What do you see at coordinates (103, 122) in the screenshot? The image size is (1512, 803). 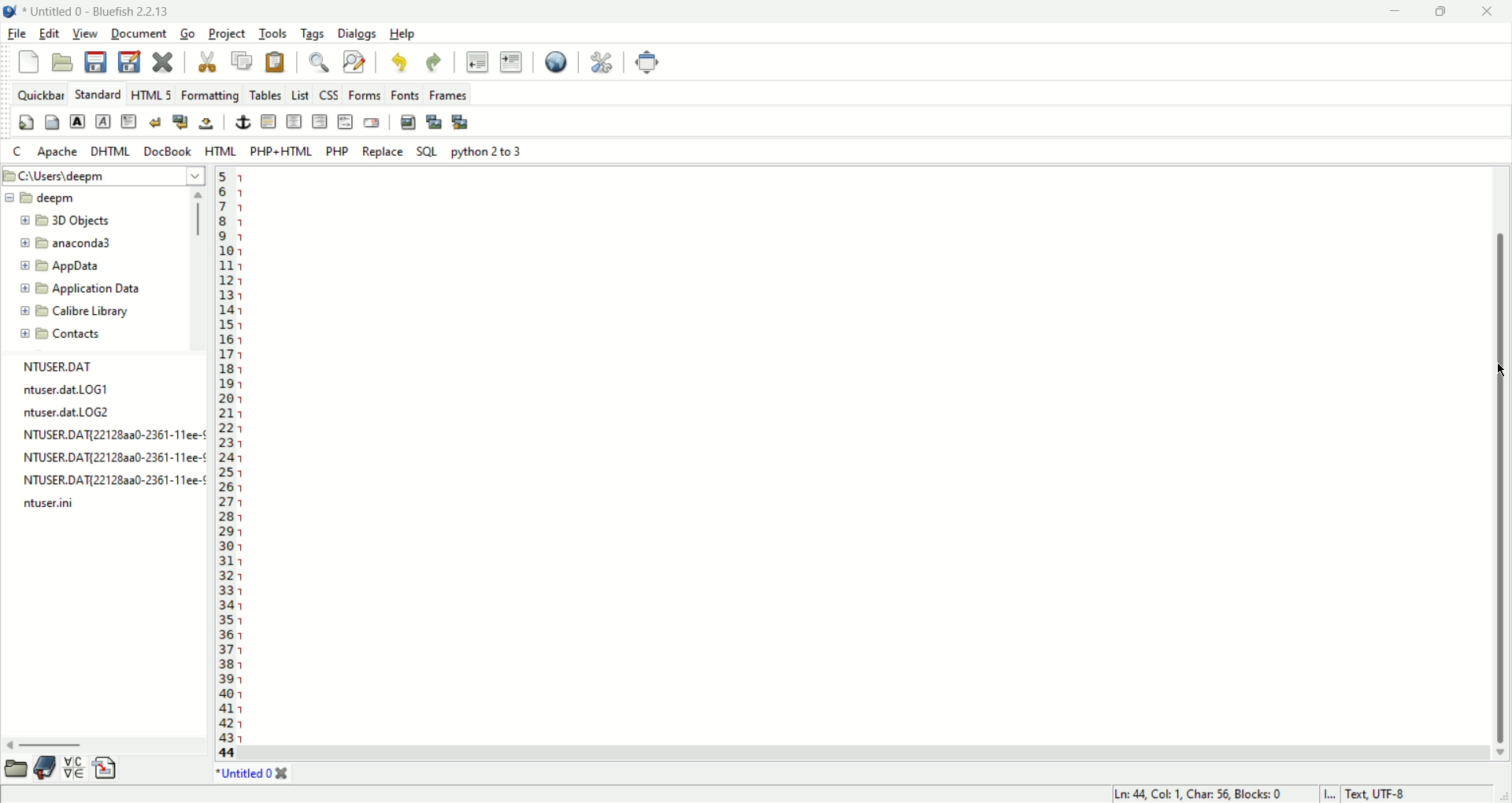 I see `emphasis` at bounding box center [103, 122].